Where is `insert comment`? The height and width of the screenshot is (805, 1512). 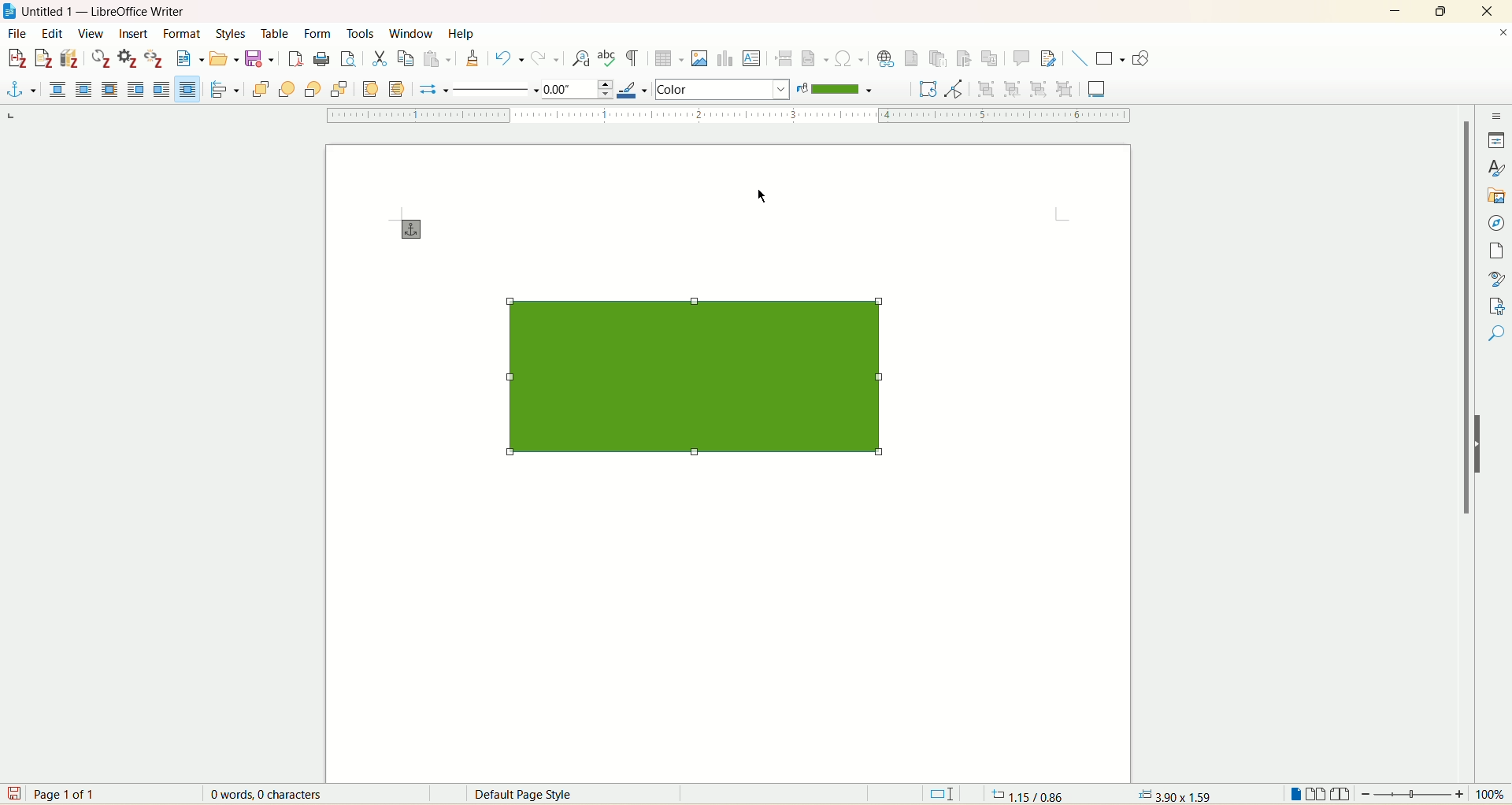
insert comment is located at coordinates (1022, 58).